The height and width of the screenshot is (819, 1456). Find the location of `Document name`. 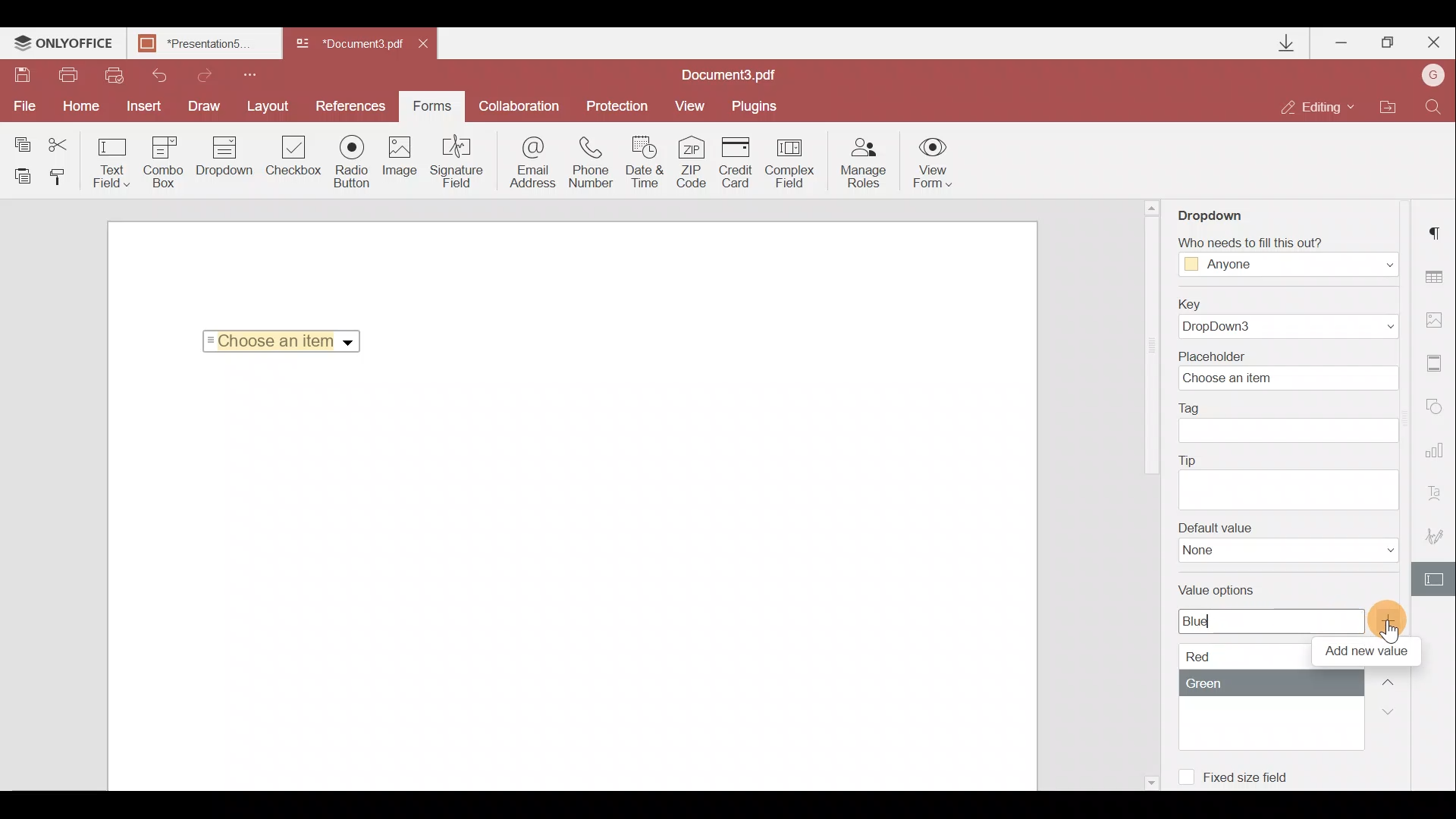

Document name is located at coordinates (347, 45).